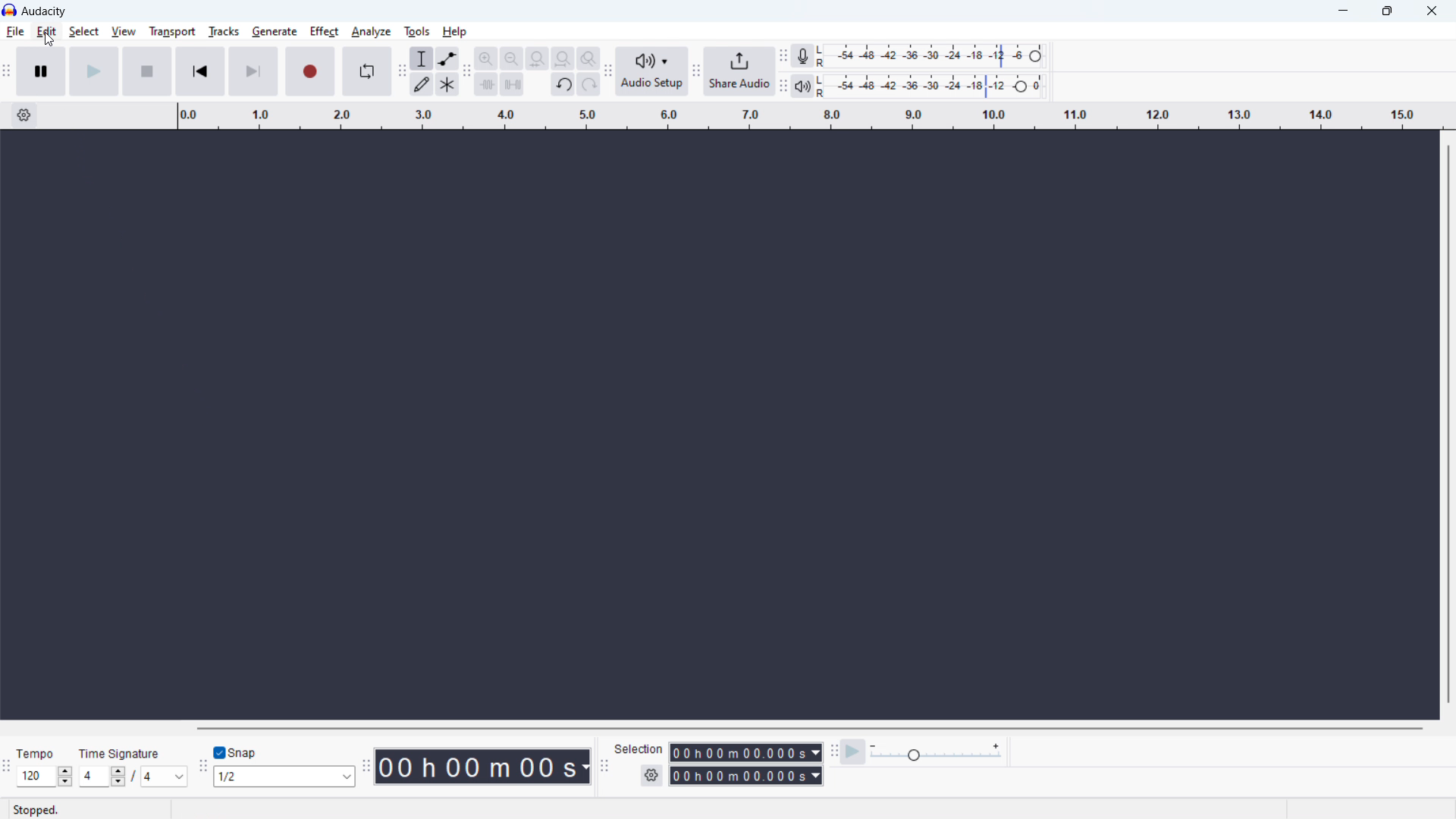 This screenshot has height=819, width=1456. I want to click on set snapping, so click(284, 776).